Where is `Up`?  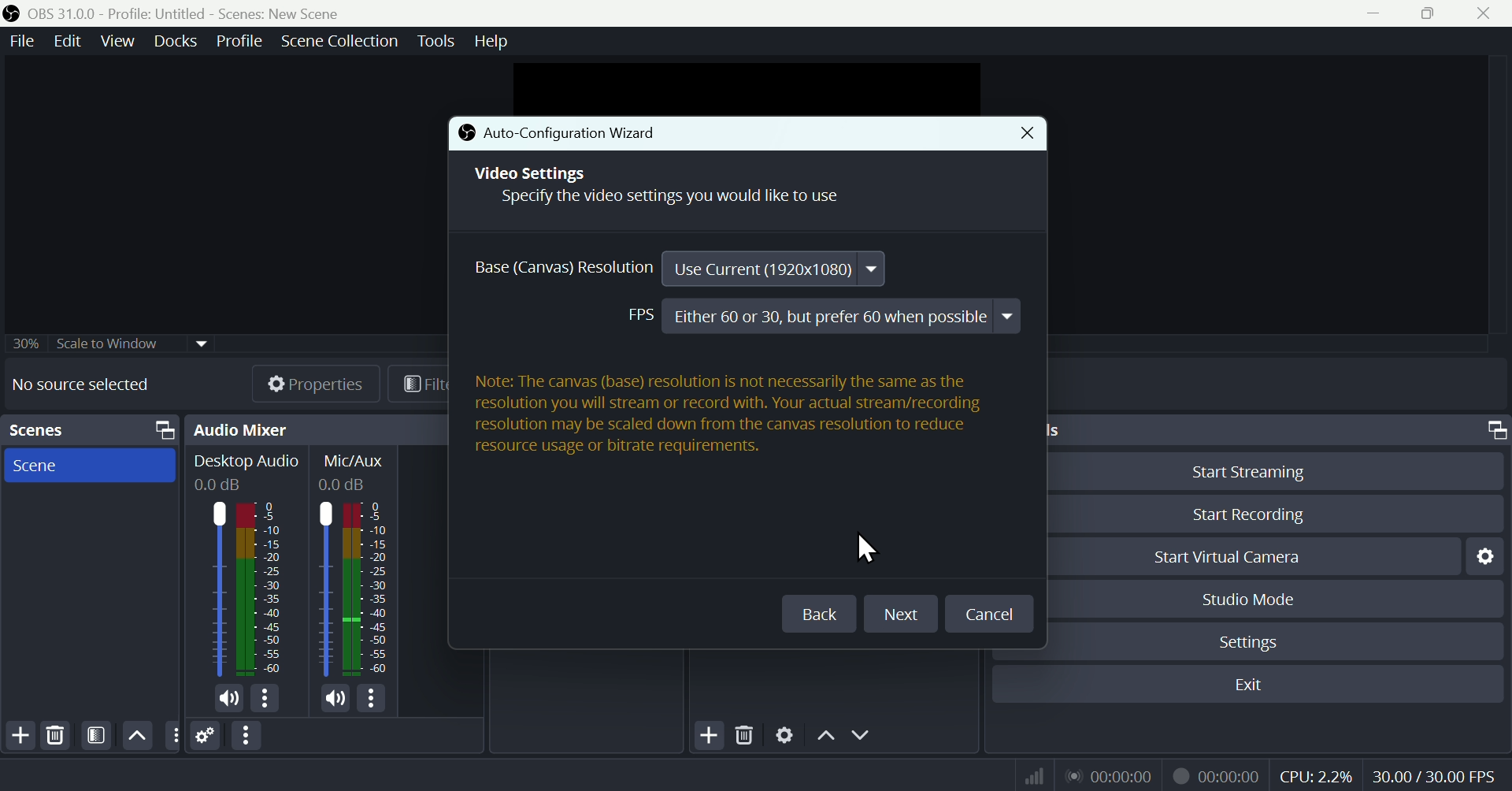
Up is located at coordinates (825, 734).